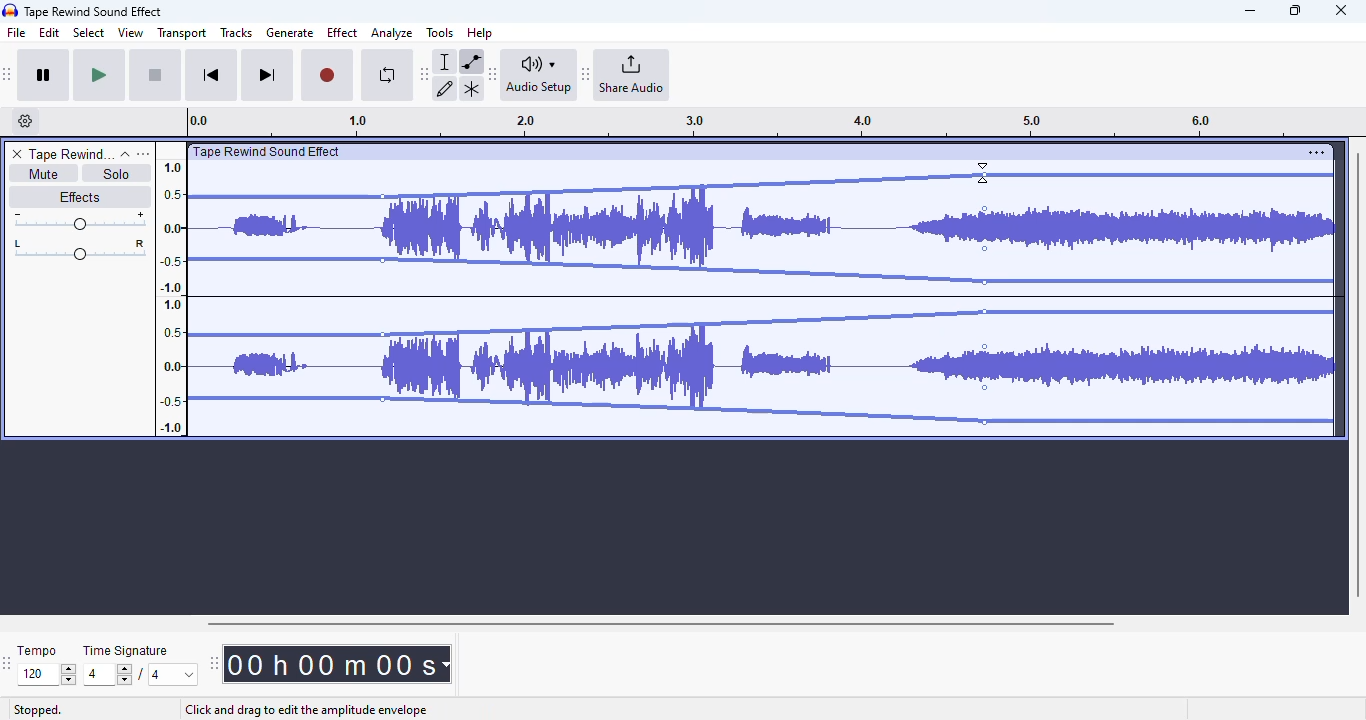  I want to click on skip to start, so click(210, 77).